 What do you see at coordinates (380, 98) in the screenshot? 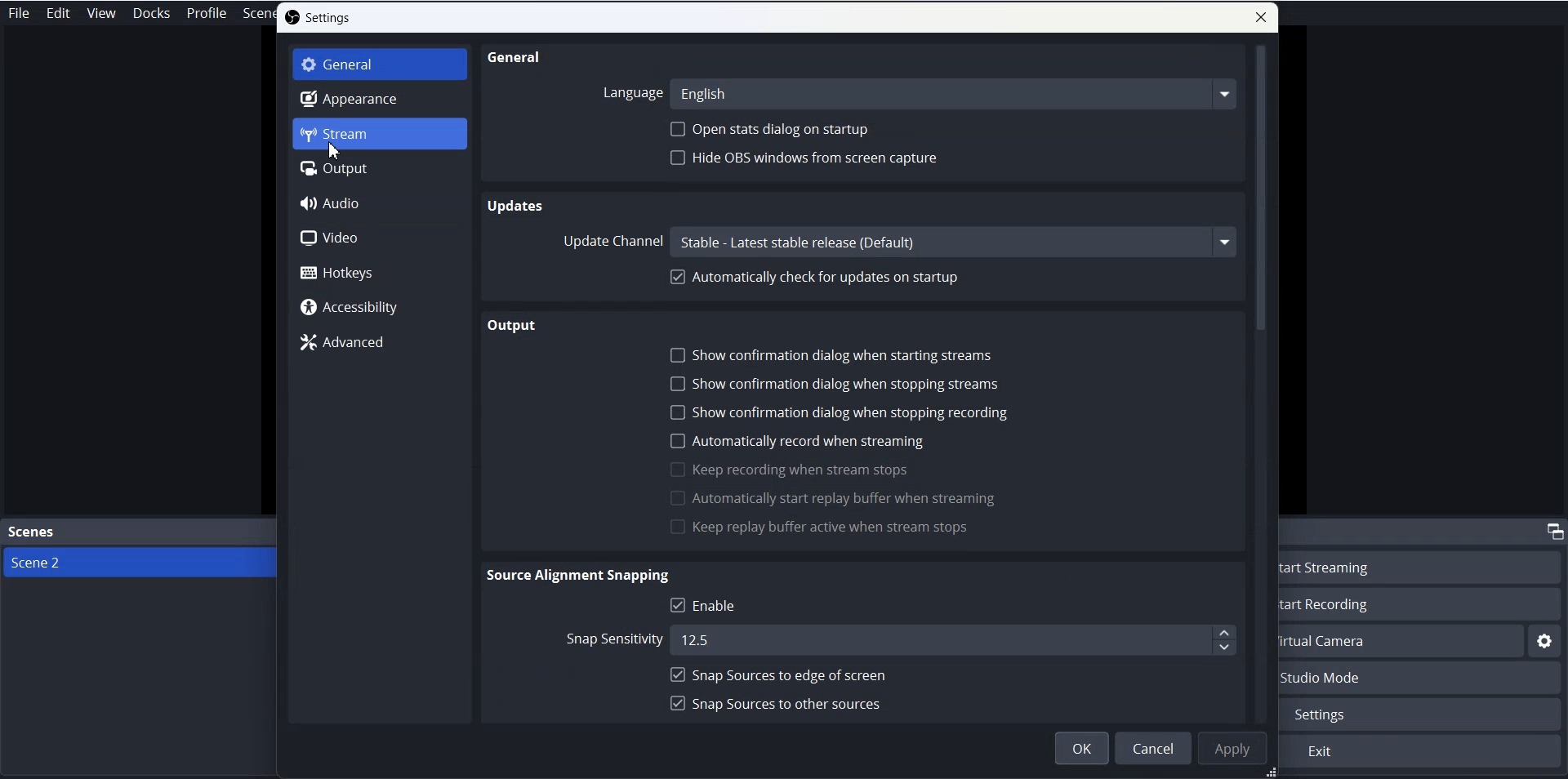
I see `Appearance` at bounding box center [380, 98].